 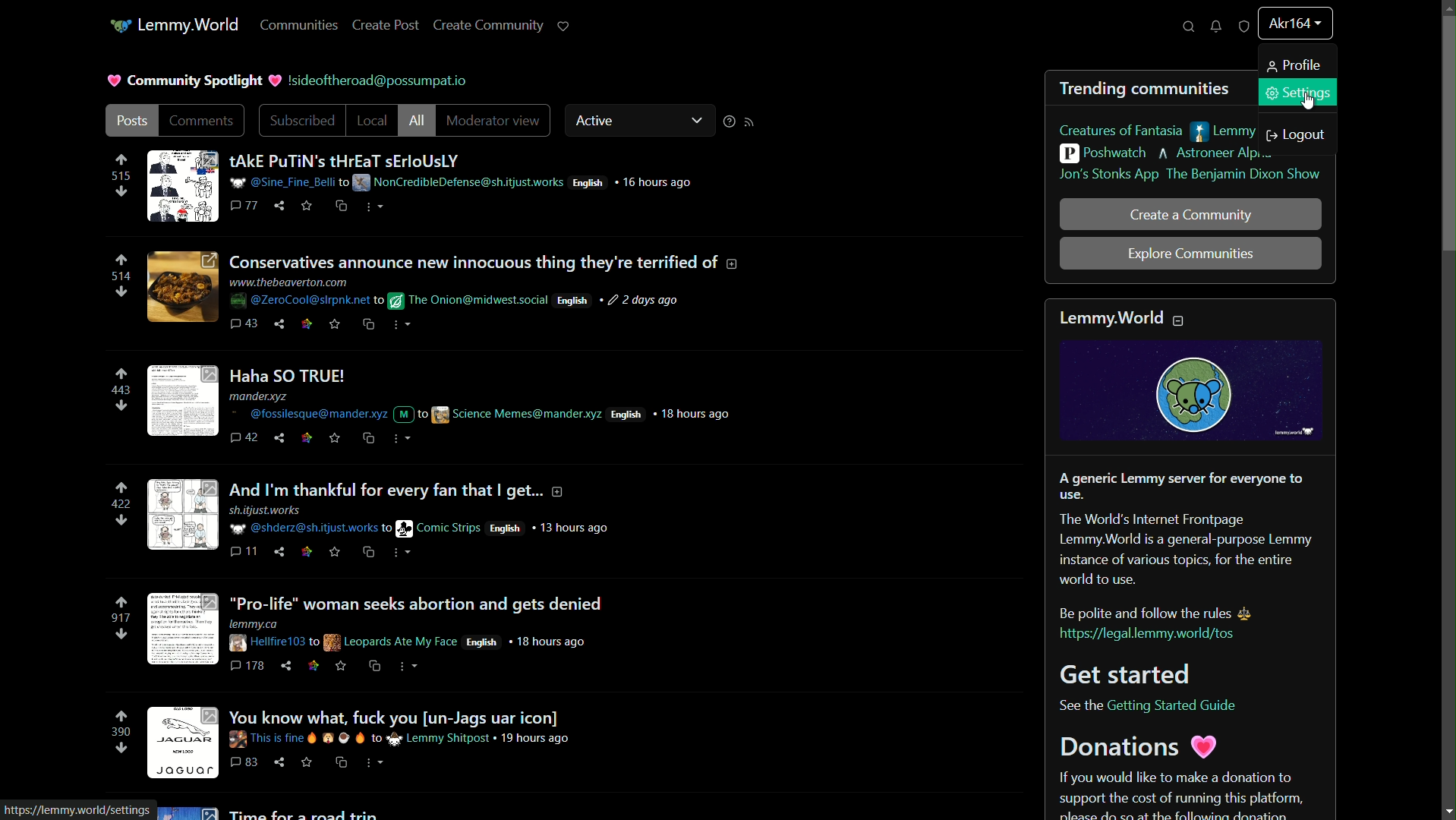 I want to click on search, so click(x=1187, y=27).